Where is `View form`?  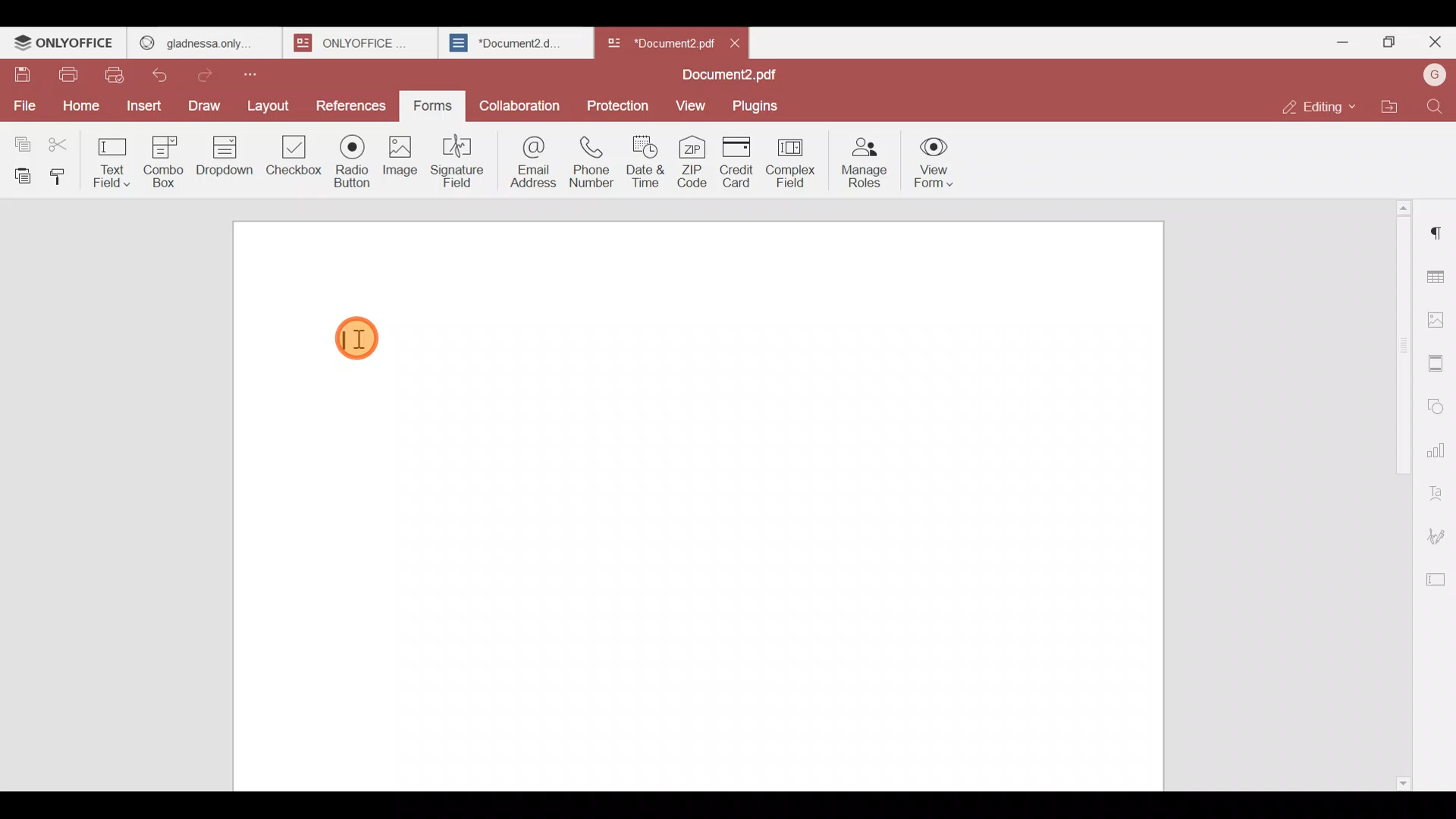 View form is located at coordinates (931, 162).